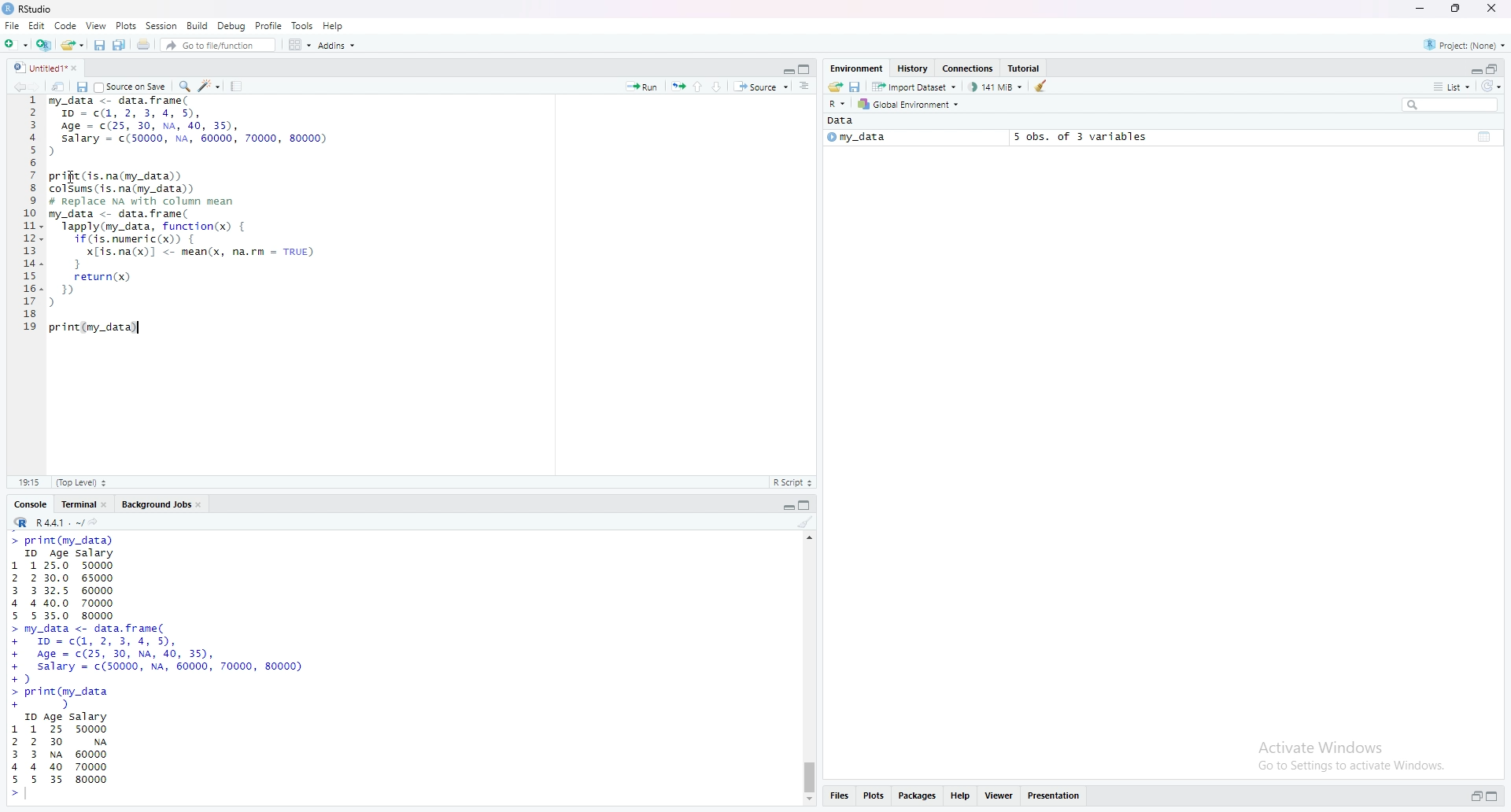 This screenshot has height=812, width=1511. I want to click on 141 MB, so click(997, 87).